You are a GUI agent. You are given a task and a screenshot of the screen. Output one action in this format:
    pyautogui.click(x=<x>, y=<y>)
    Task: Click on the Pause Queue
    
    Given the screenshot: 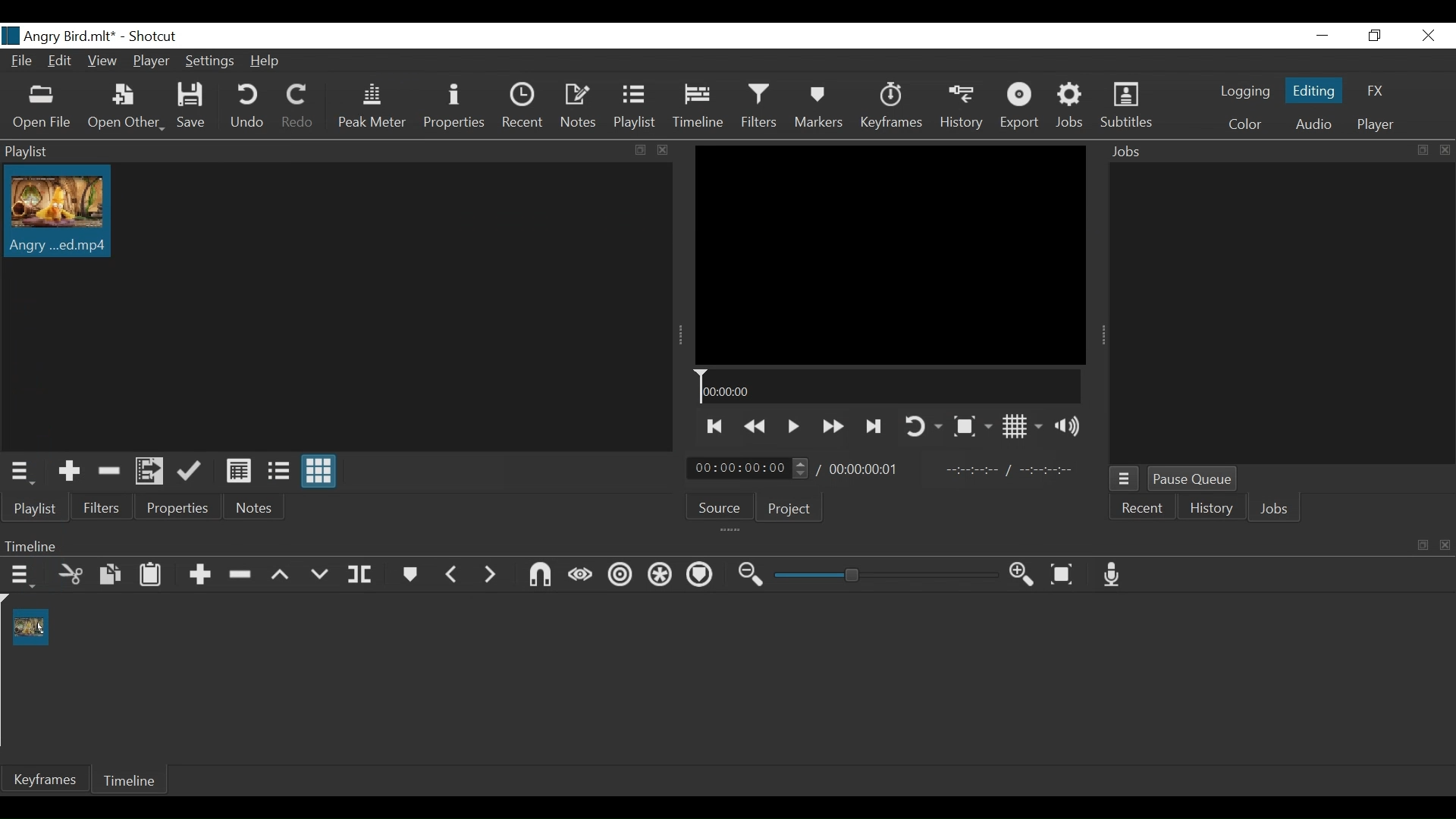 What is the action you would take?
    pyautogui.click(x=1193, y=479)
    